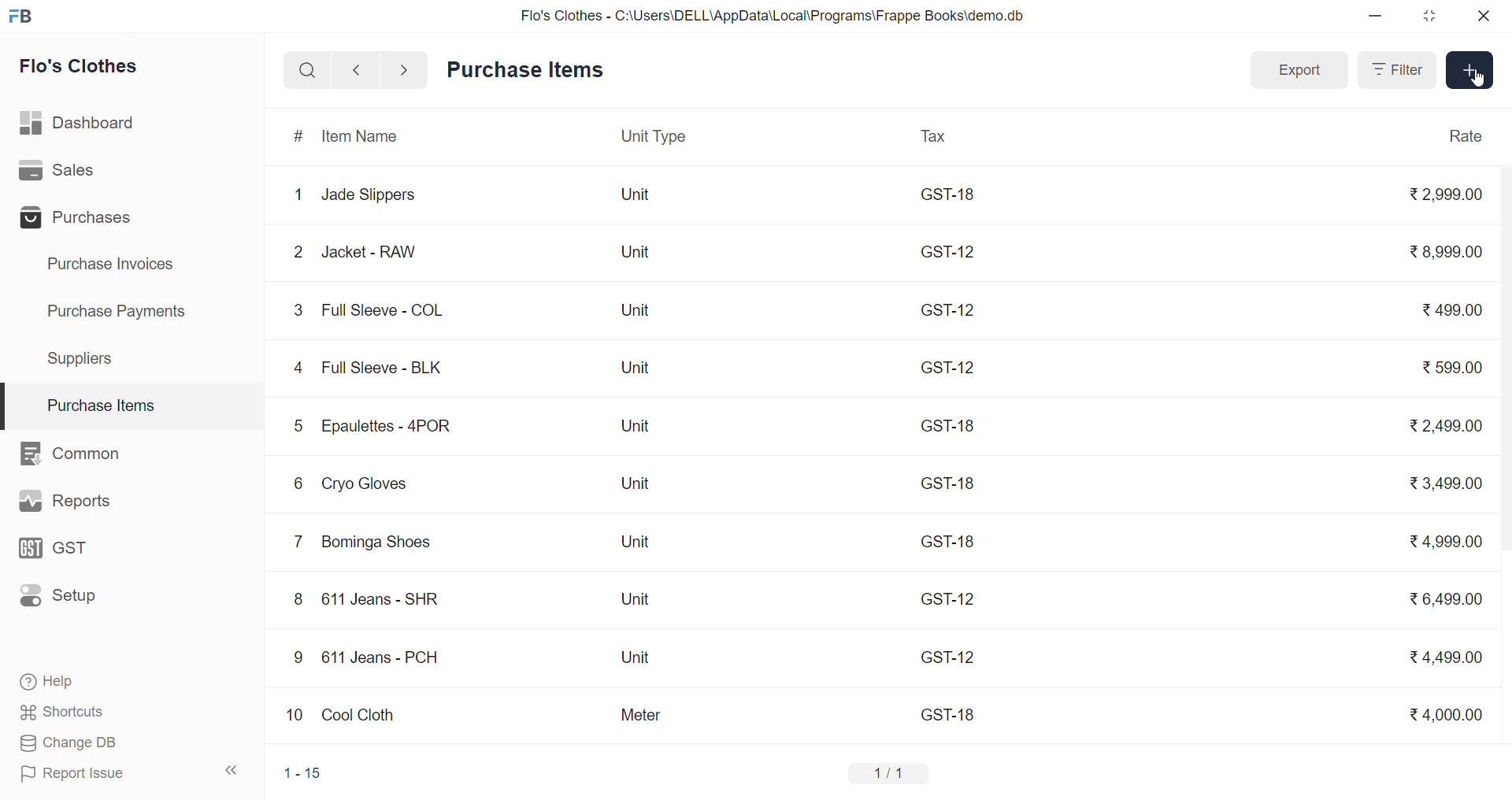 The width and height of the screenshot is (1512, 800). Describe the element at coordinates (20, 17) in the screenshot. I see `logo` at that location.